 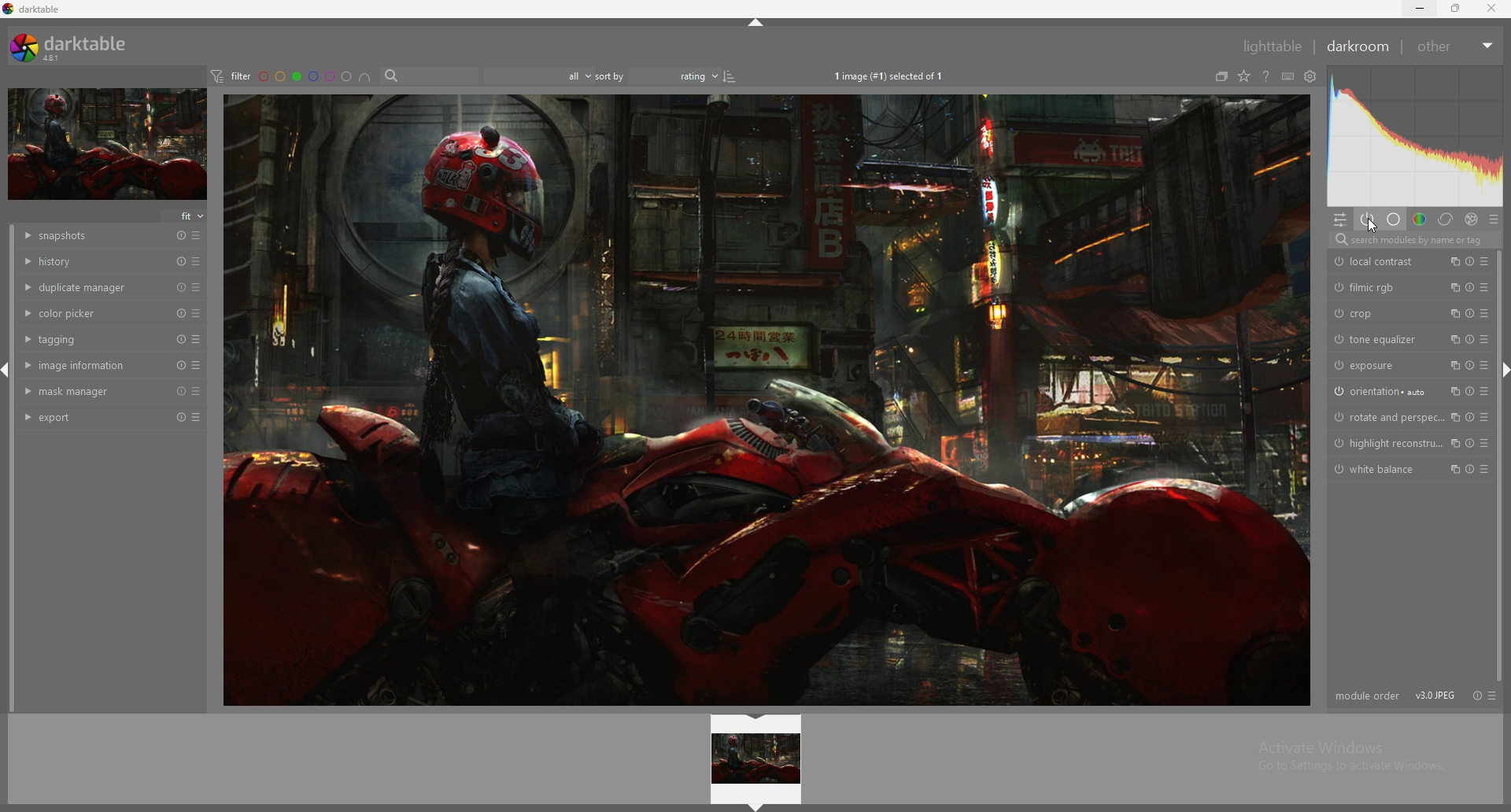 What do you see at coordinates (1486, 289) in the screenshot?
I see `presets` at bounding box center [1486, 289].